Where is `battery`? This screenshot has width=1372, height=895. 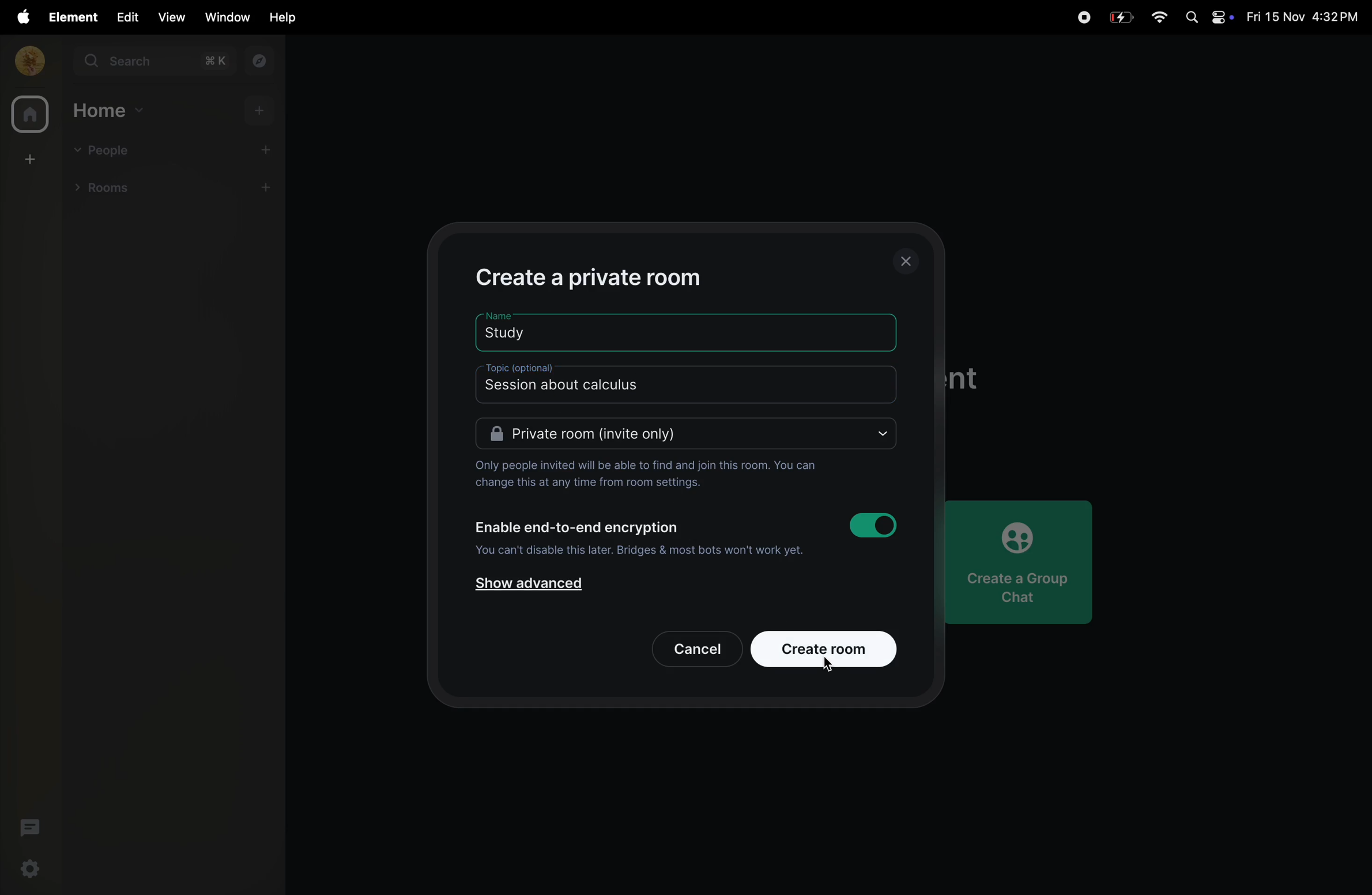
battery is located at coordinates (1122, 16).